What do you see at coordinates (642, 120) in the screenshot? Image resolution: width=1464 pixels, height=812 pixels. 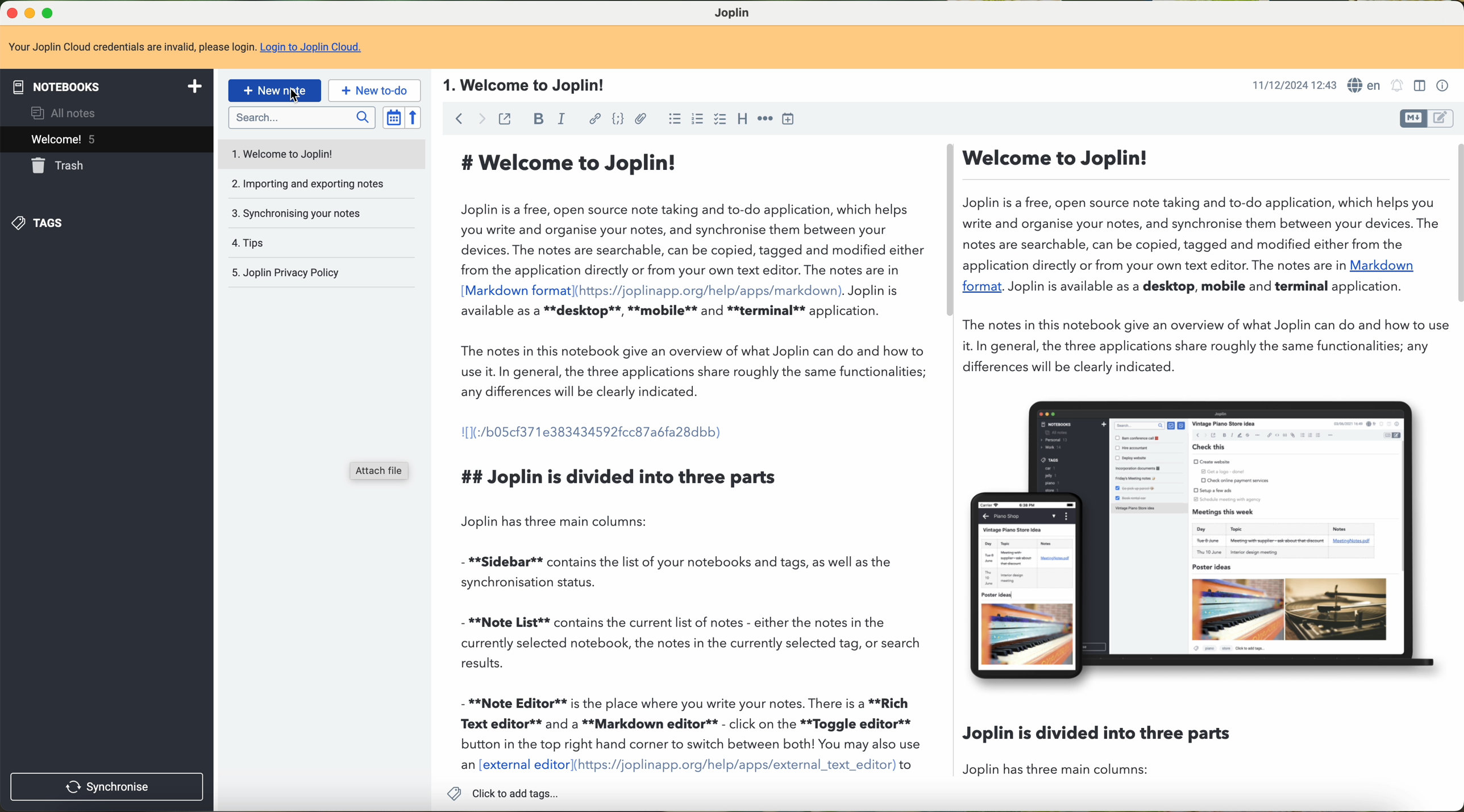 I see `attach file` at bounding box center [642, 120].